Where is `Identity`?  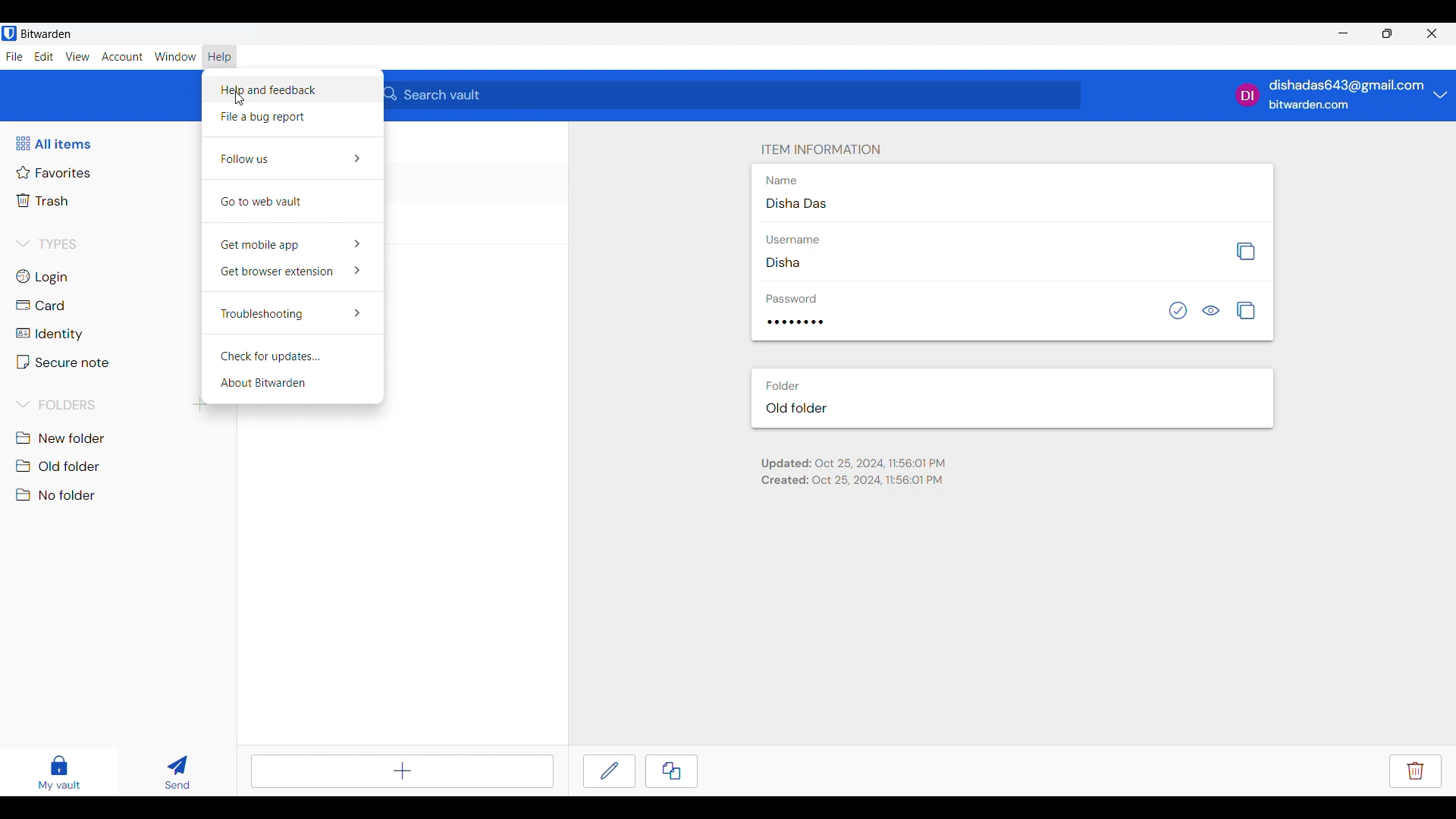
Identity is located at coordinates (48, 334).